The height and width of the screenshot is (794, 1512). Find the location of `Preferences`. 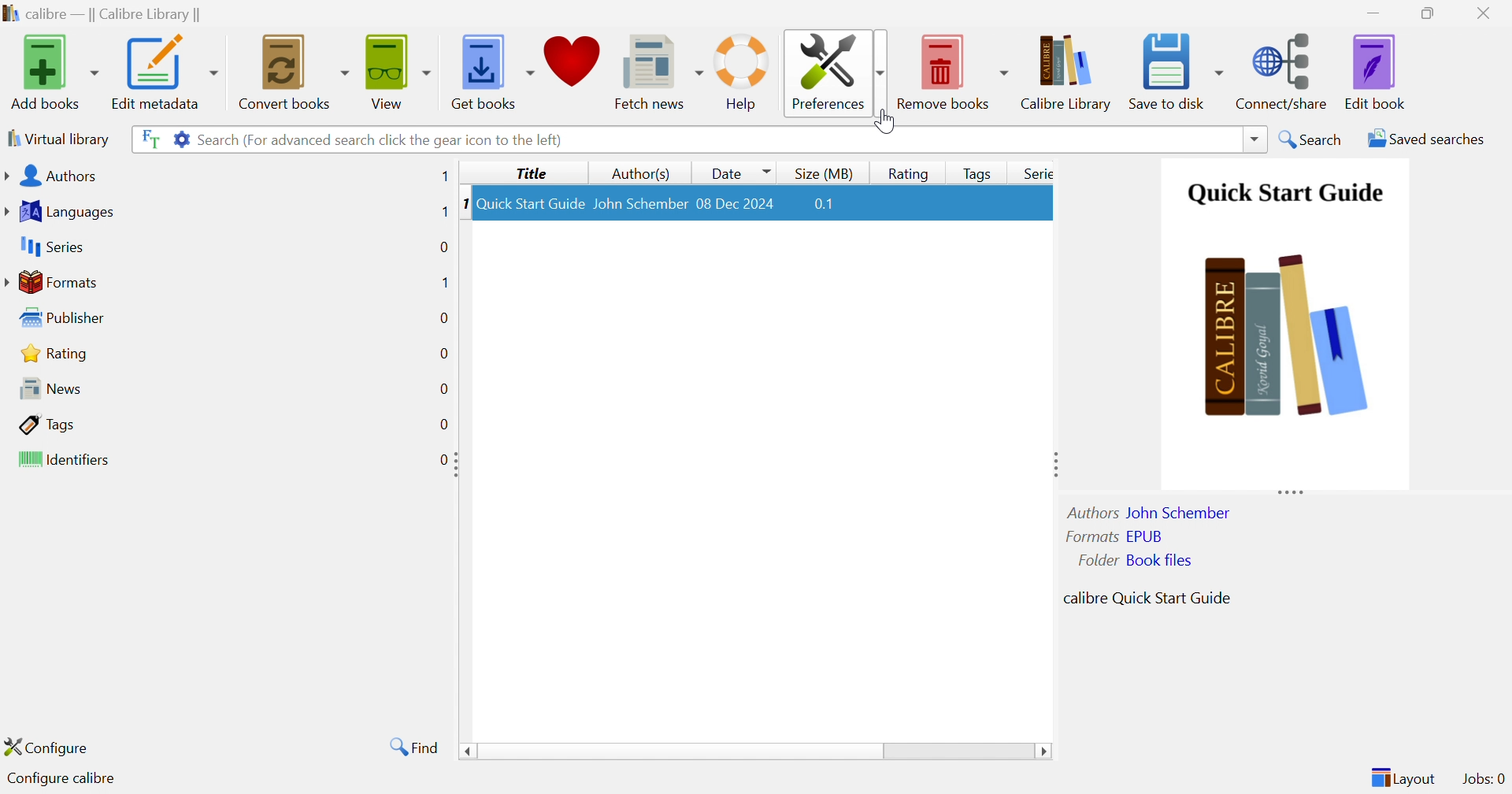

Preferences is located at coordinates (834, 70).